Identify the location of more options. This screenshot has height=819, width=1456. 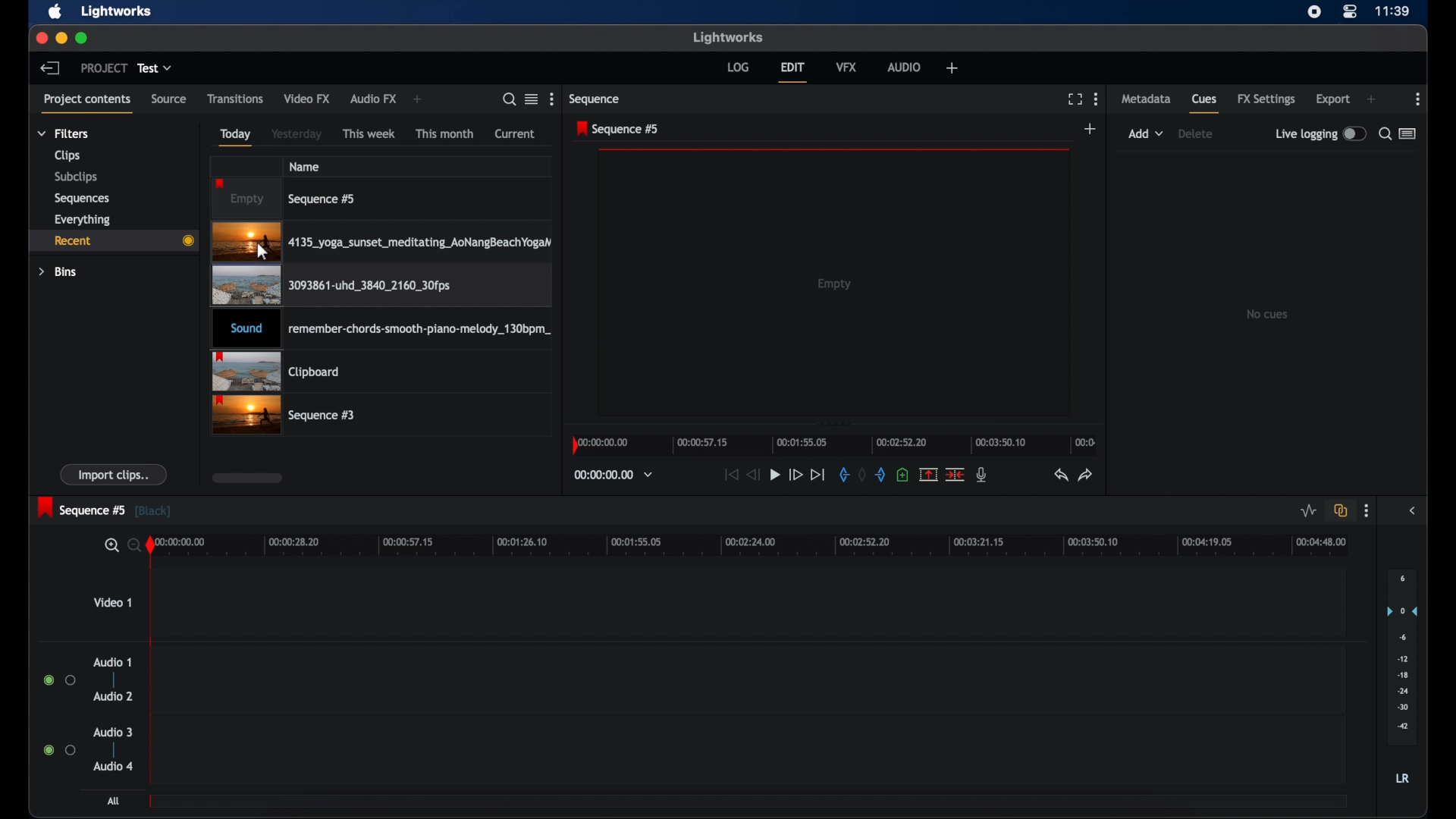
(551, 99).